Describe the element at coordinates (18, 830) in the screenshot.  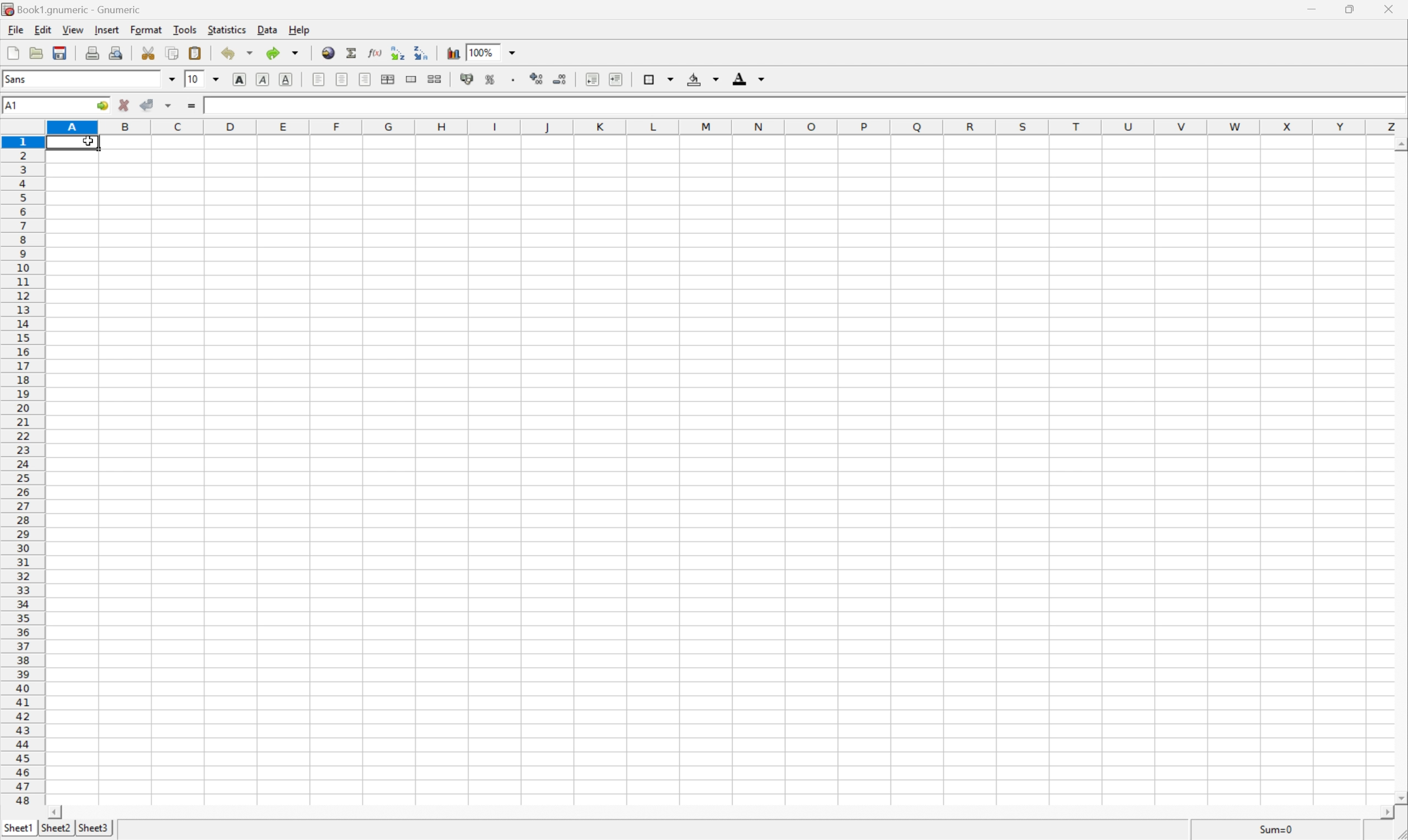
I see `sheet1` at that location.